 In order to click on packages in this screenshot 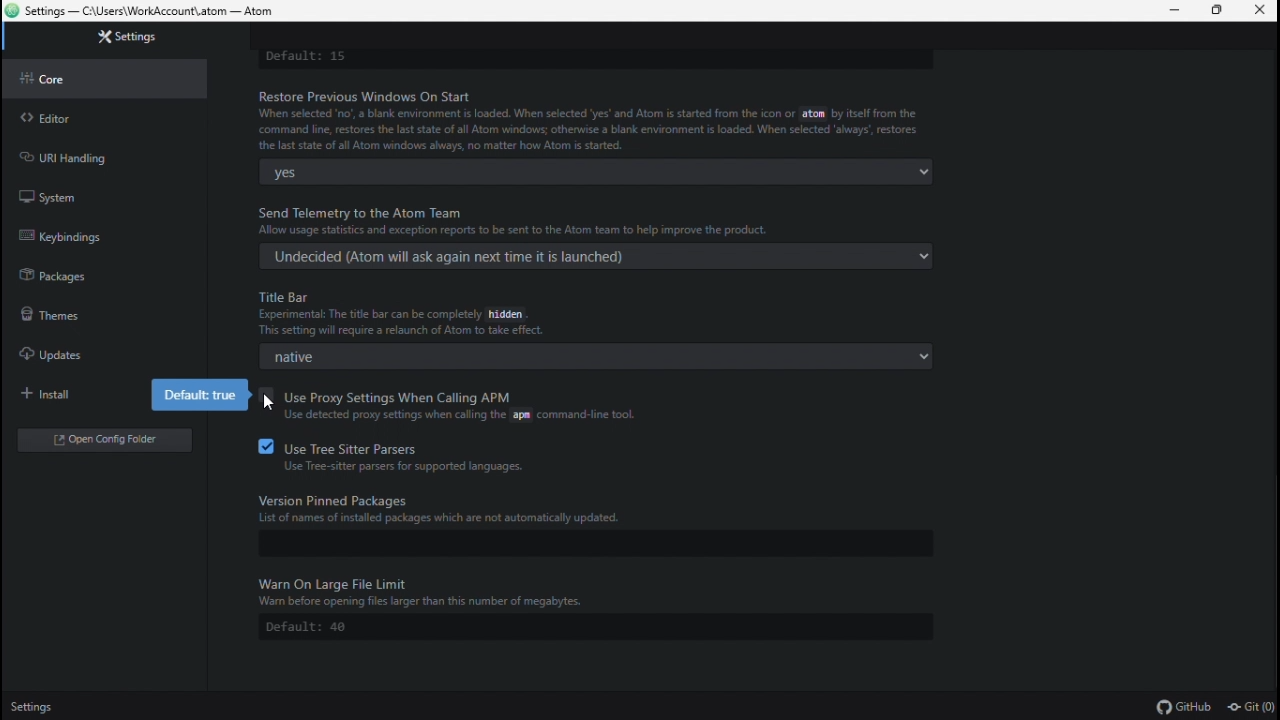, I will do `click(86, 274)`.